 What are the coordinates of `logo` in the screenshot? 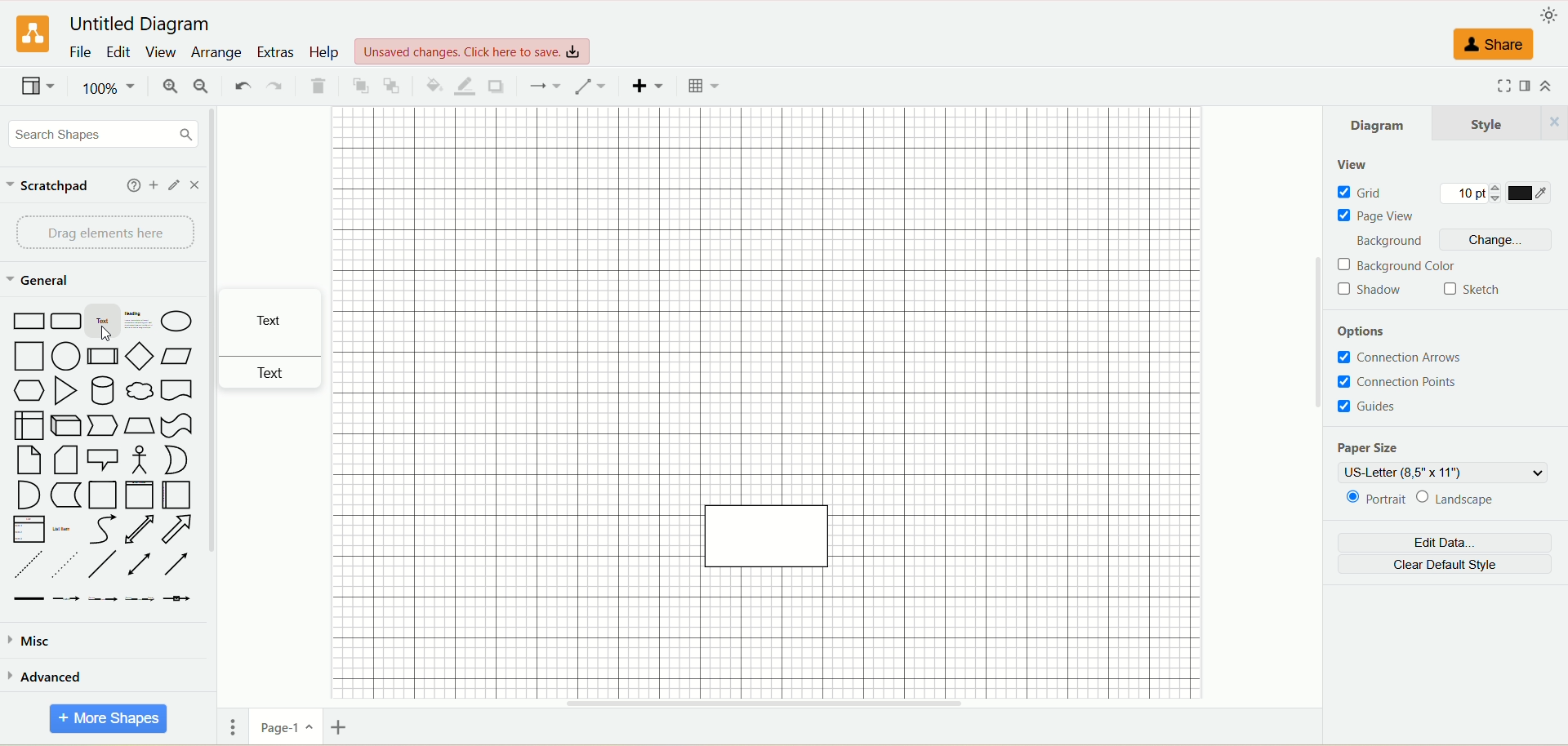 It's located at (30, 33).